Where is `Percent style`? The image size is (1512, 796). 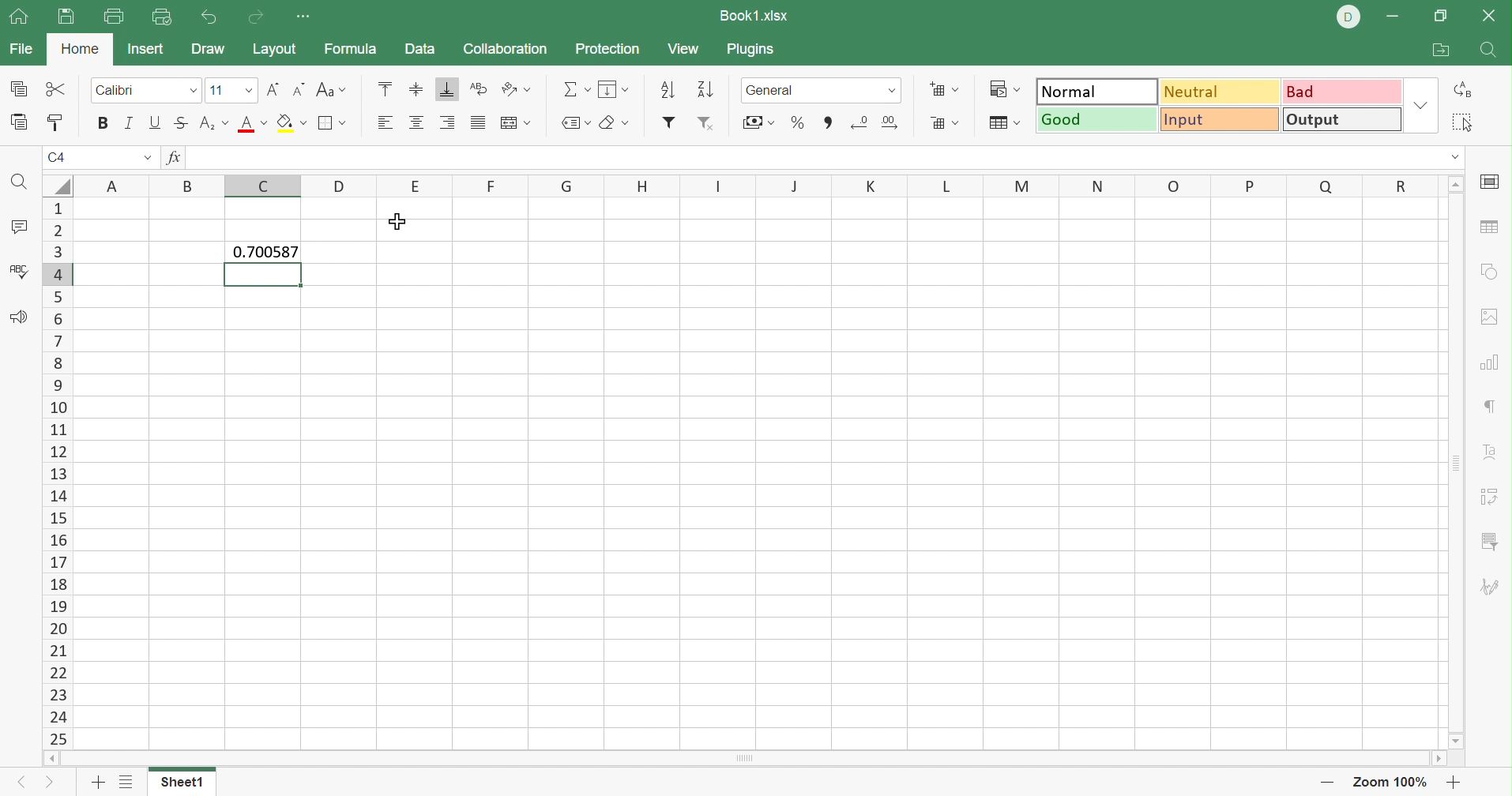 Percent style is located at coordinates (800, 122).